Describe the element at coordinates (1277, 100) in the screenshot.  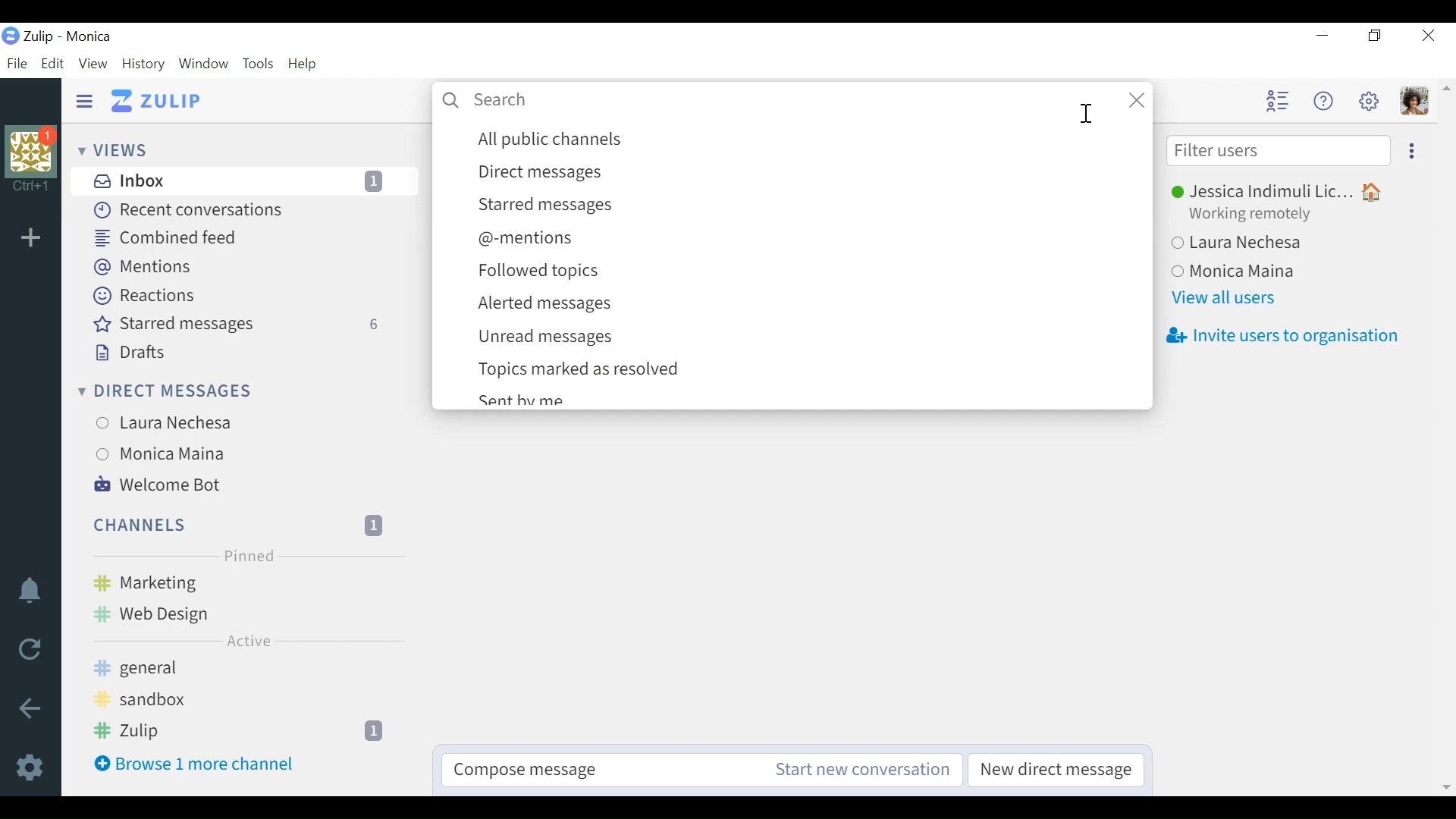
I see `Hide user list` at that location.